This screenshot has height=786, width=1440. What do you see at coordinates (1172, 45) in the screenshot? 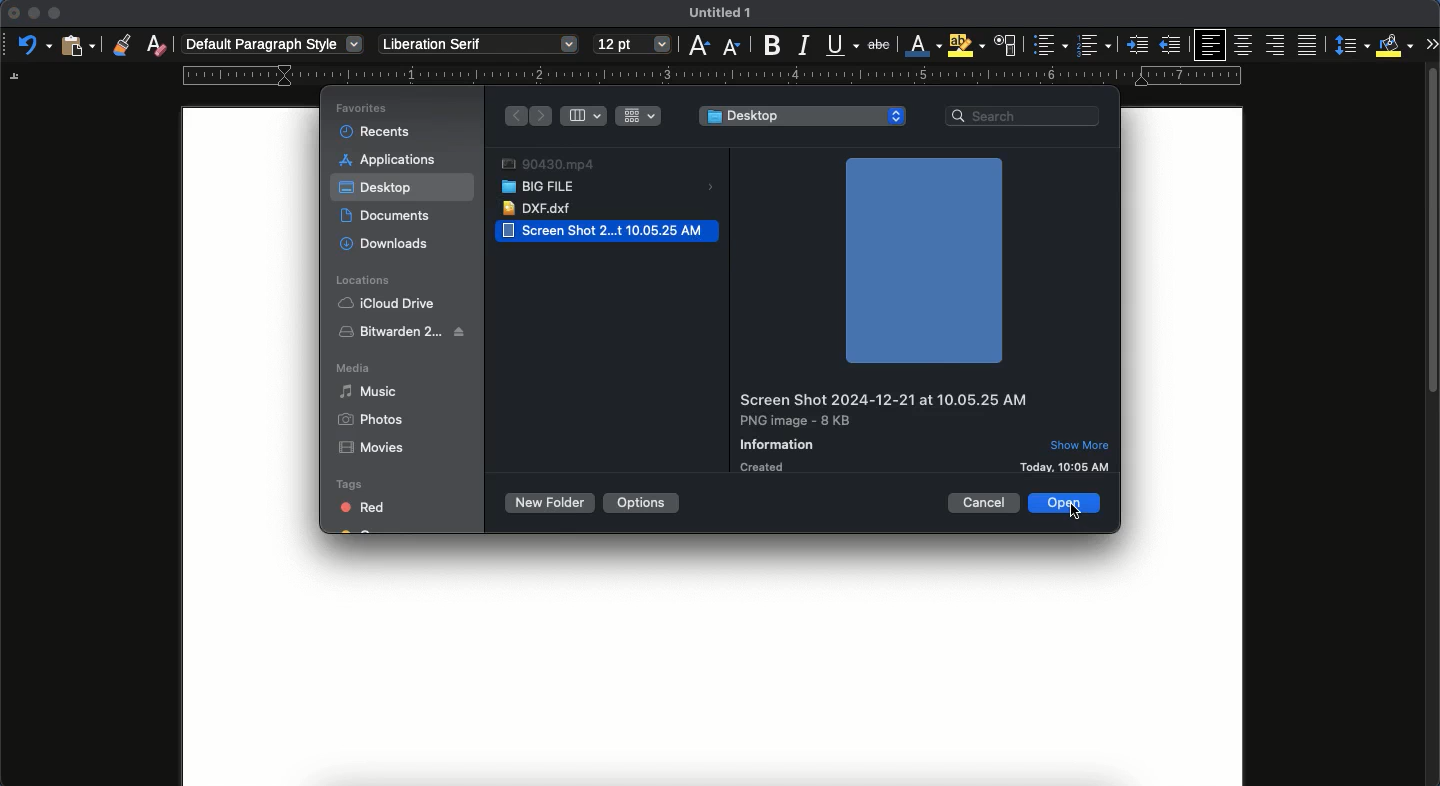
I see `unindented` at bounding box center [1172, 45].